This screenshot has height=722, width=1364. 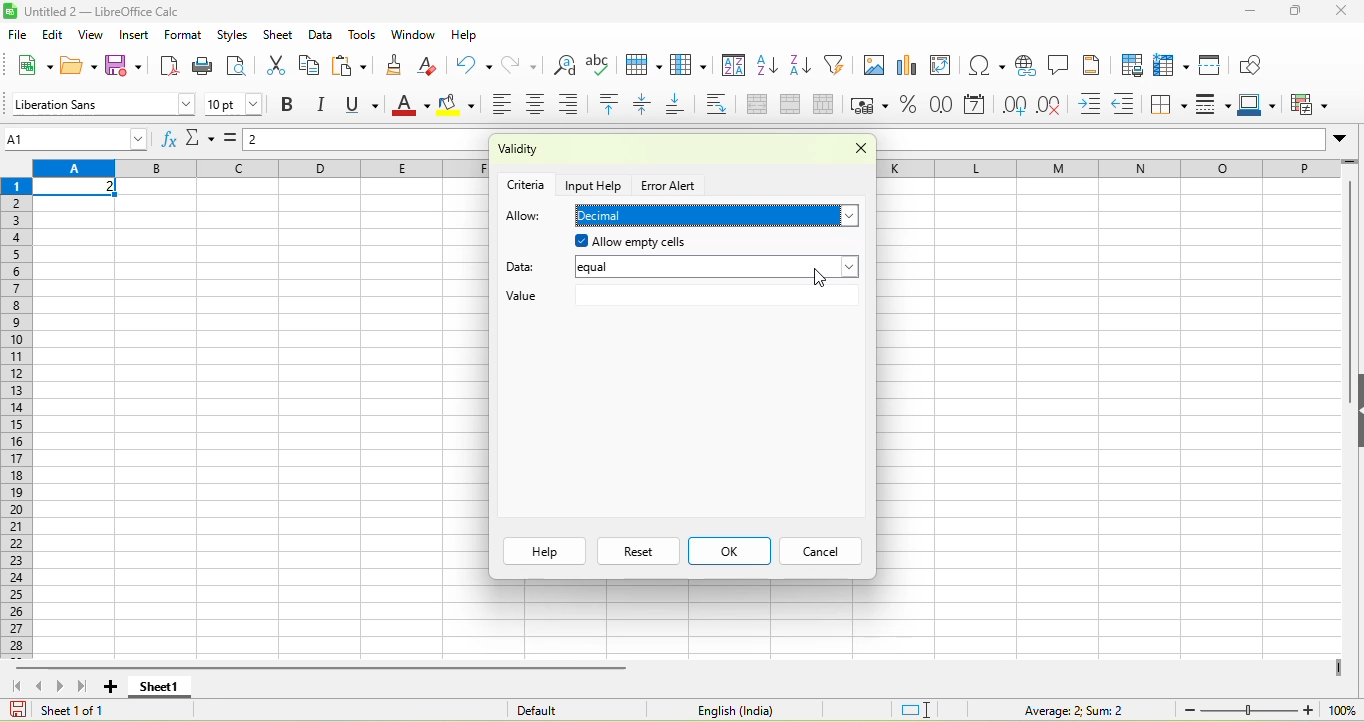 I want to click on sheet 1, so click(x=158, y=687).